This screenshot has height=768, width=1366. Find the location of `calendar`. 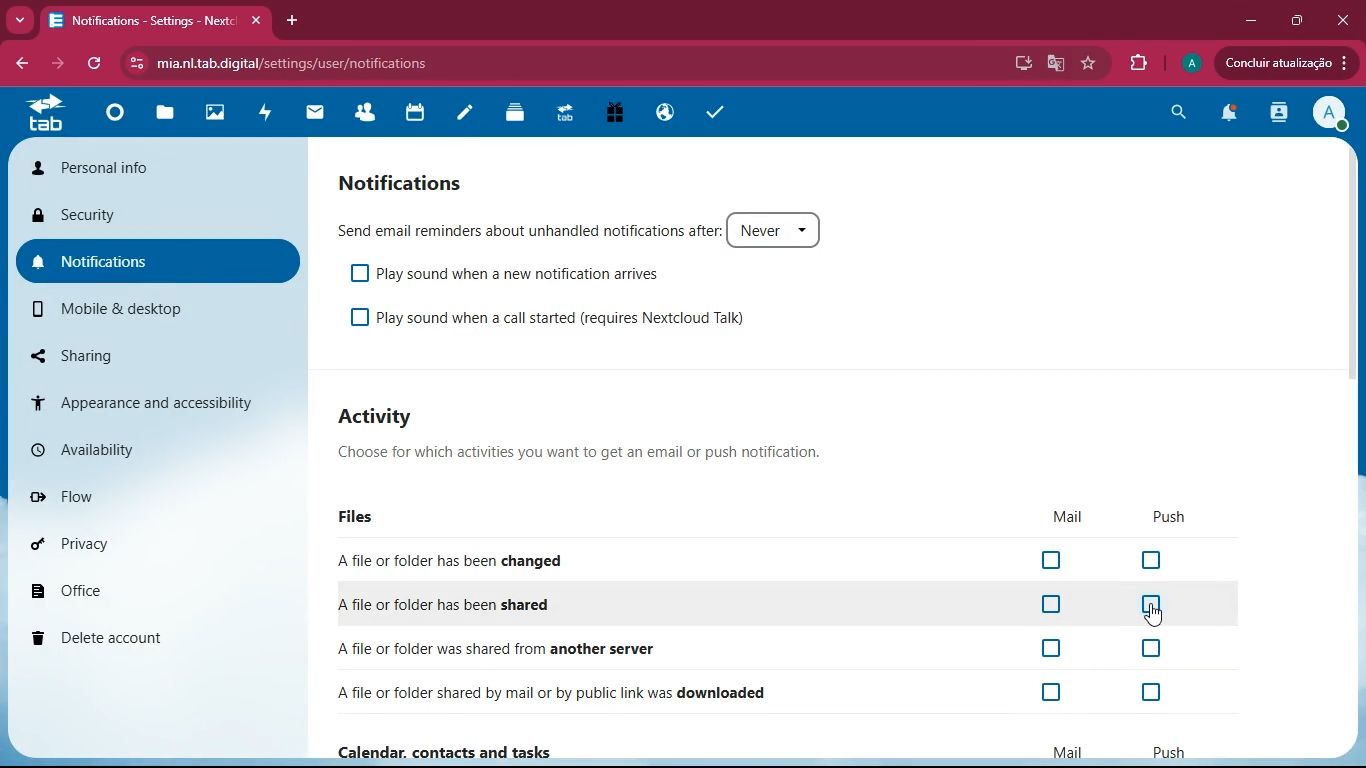

calendar is located at coordinates (410, 113).